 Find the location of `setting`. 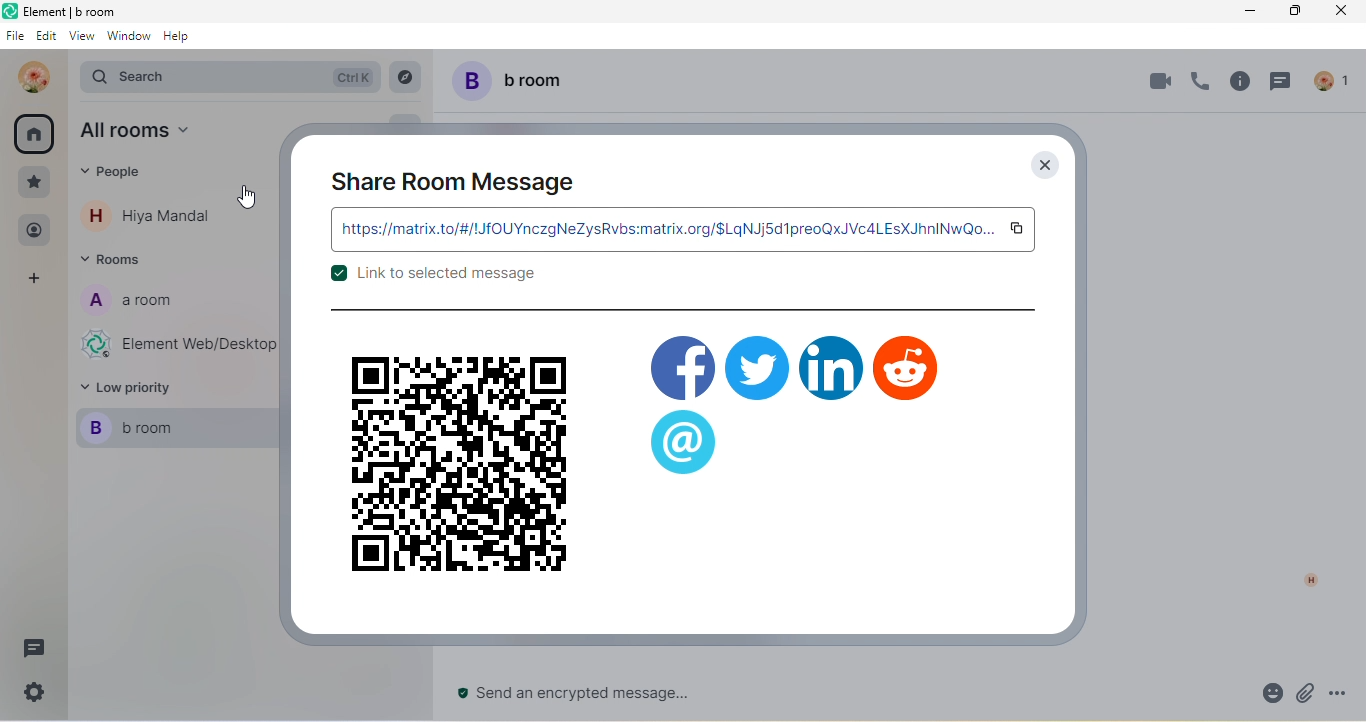

setting is located at coordinates (31, 697).